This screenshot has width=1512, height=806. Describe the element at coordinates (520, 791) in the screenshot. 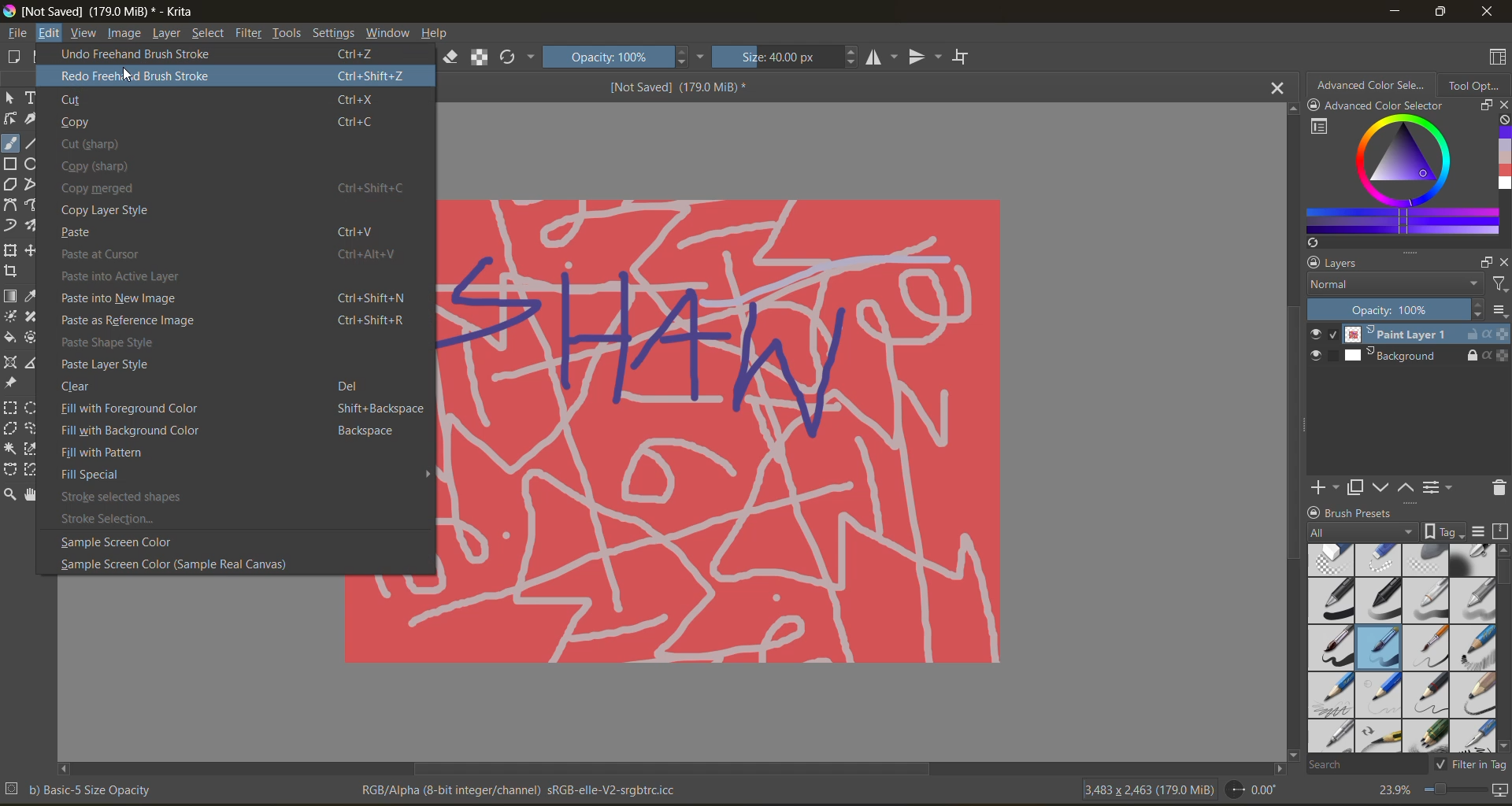

I see `RGB/Alpha (8-bit integer/channel) sRGB-elle-V2-srgbtrc.icc` at that location.